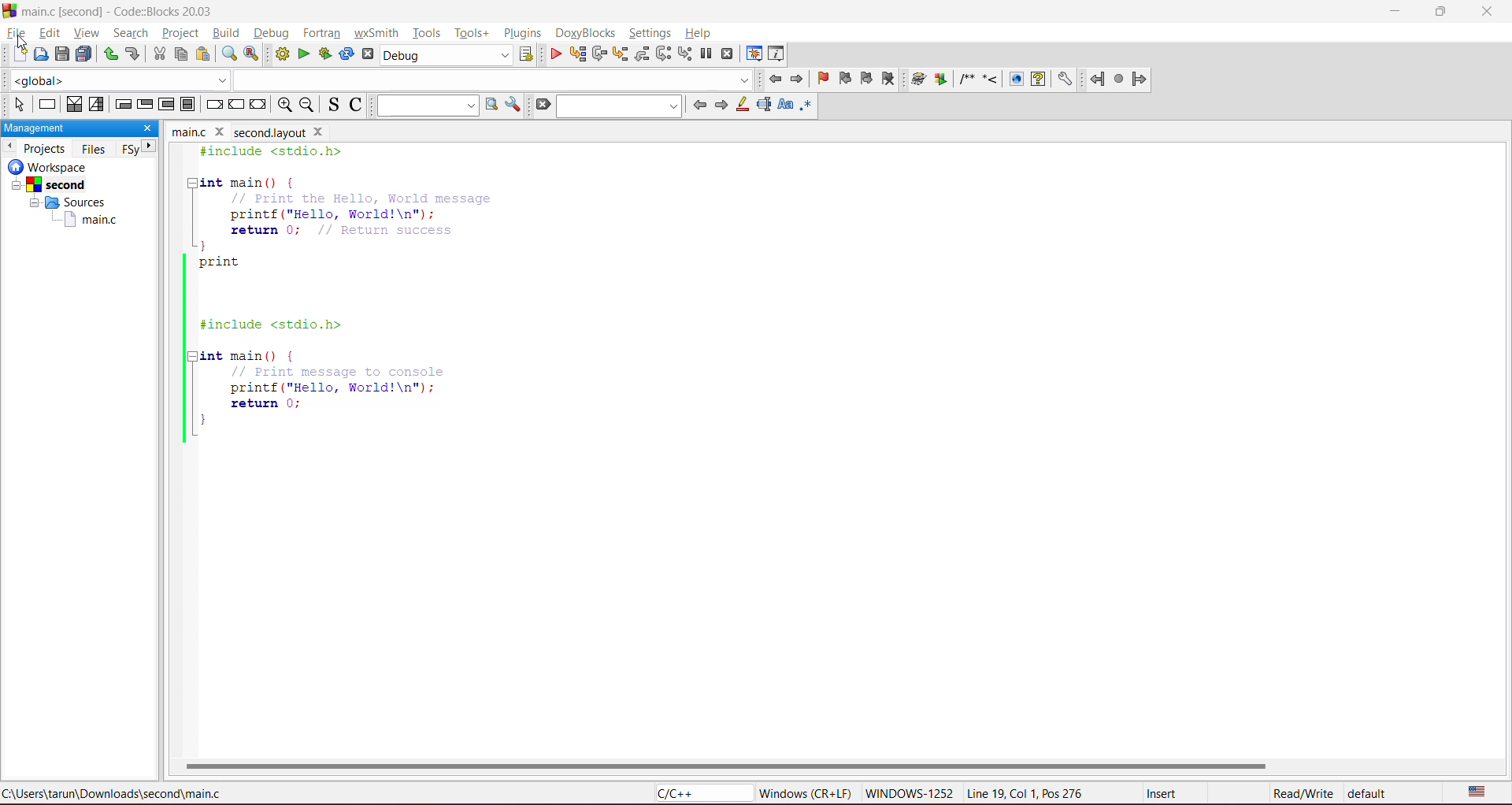 This screenshot has height=805, width=1512. What do you see at coordinates (201, 56) in the screenshot?
I see `paste` at bounding box center [201, 56].